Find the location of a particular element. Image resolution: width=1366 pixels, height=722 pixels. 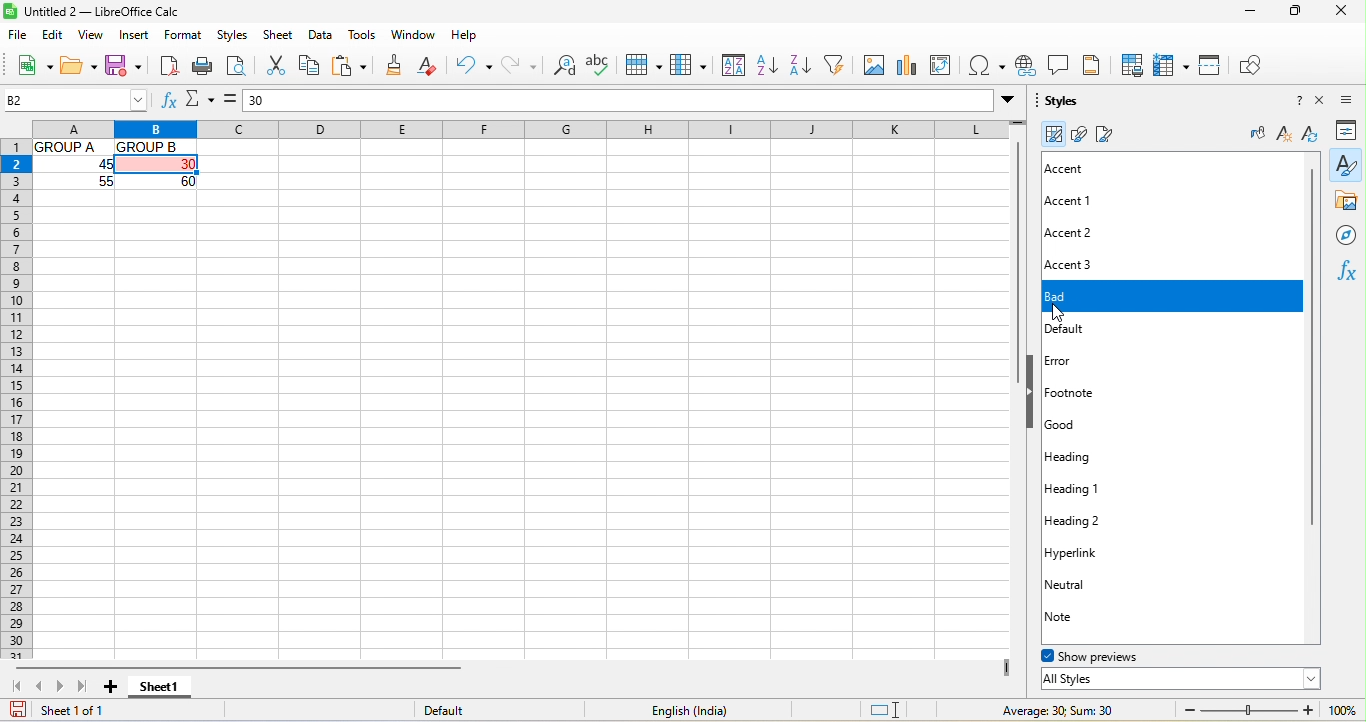

show previews is located at coordinates (1109, 655).